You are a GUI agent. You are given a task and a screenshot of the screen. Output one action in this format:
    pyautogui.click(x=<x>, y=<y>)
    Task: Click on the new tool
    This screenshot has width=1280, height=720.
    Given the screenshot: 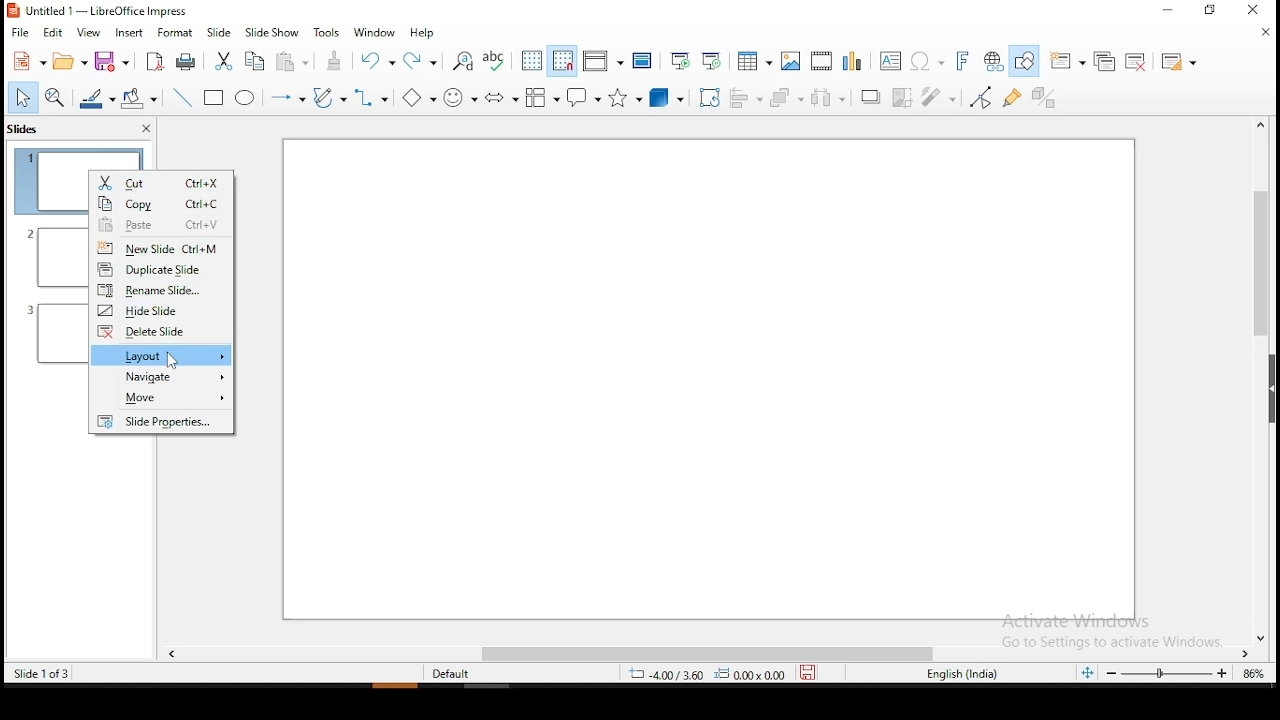 What is the action you would take?
    pyautogui.click(x=29, y=63)
    